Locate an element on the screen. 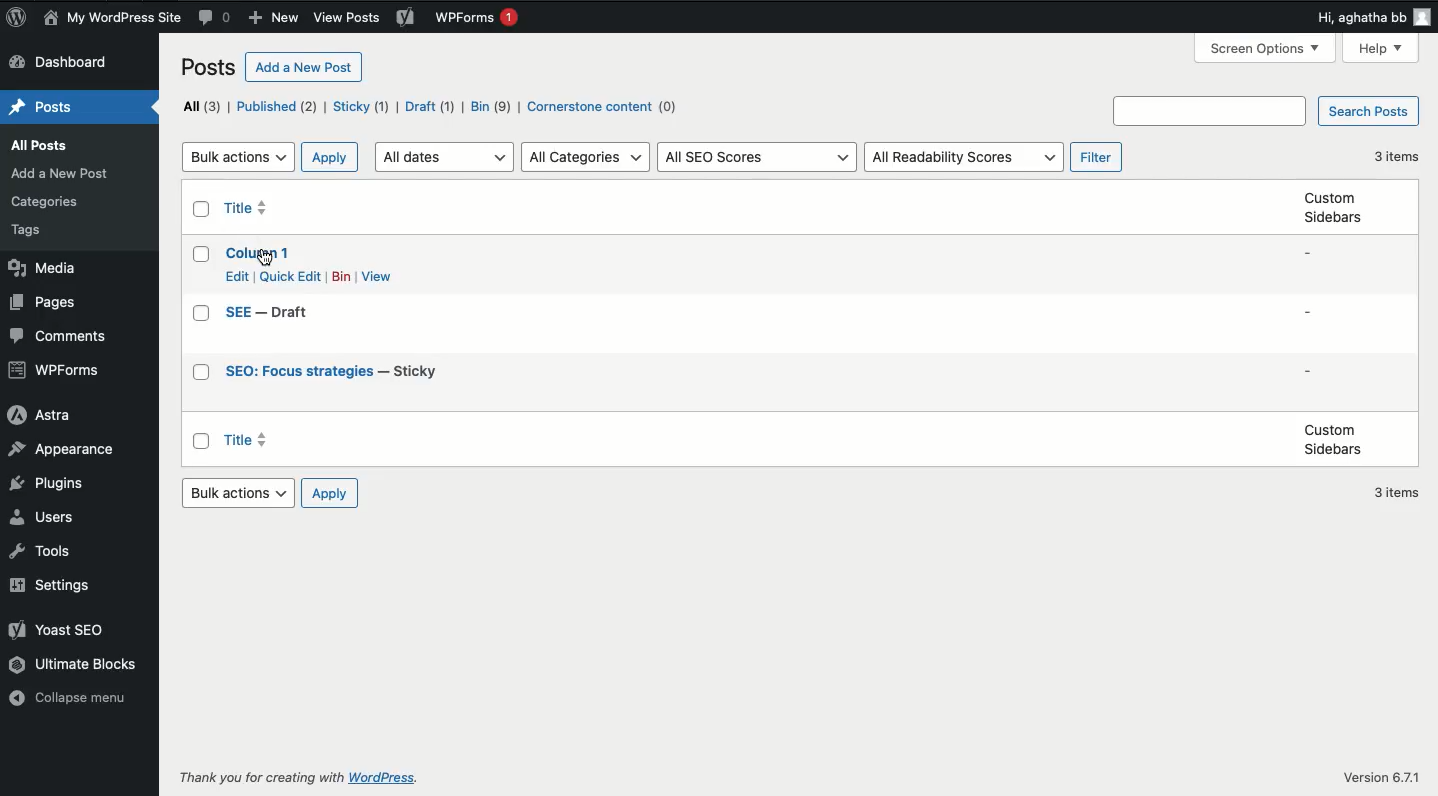 The image size is (1438, 796). Bulk actions is located at coordinates (243, 158).